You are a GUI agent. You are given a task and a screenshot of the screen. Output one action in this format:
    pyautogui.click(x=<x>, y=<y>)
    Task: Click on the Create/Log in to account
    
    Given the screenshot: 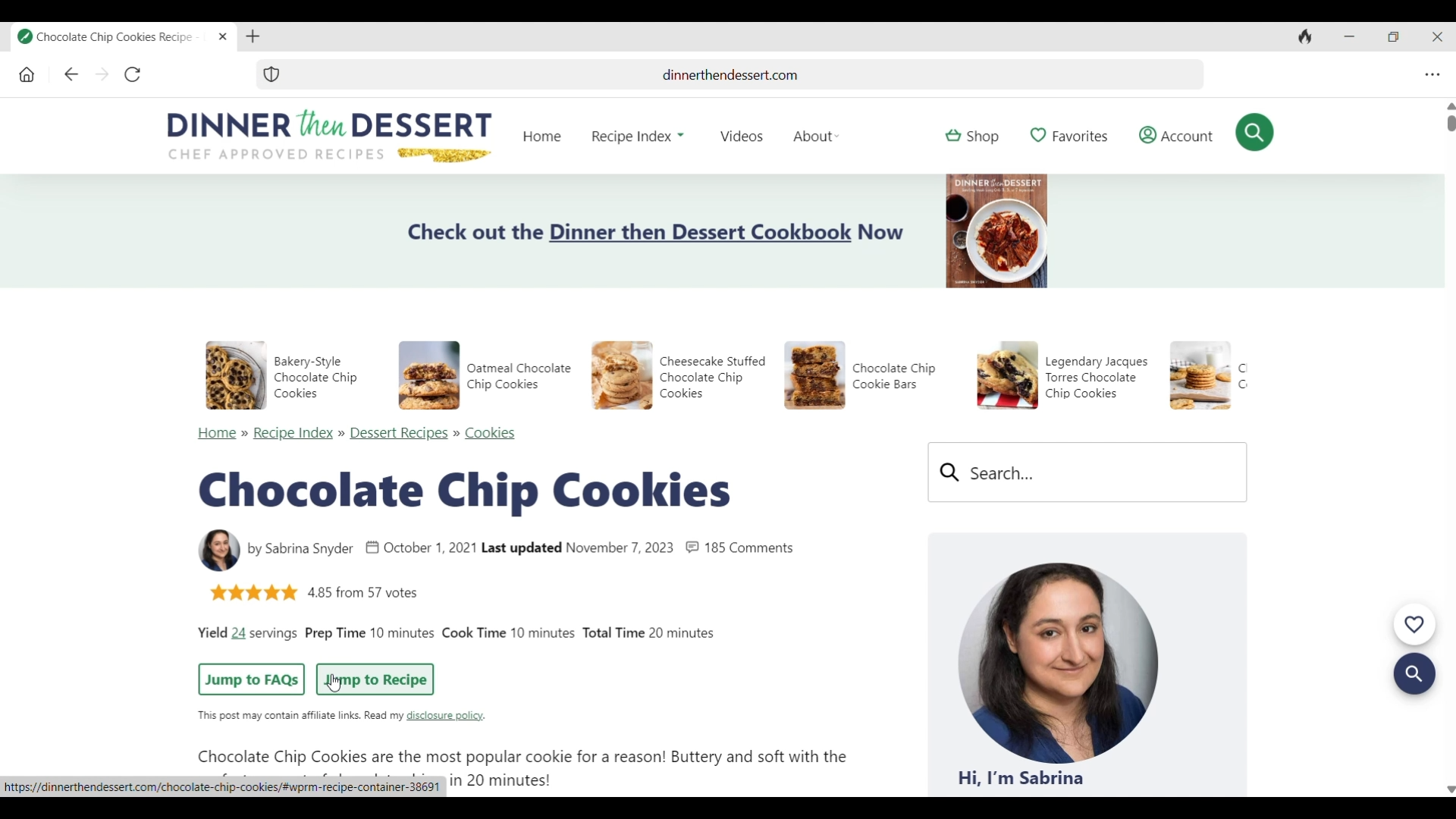 What is the action you would take?
    pyautogui.click(x=1177, y=135)
    